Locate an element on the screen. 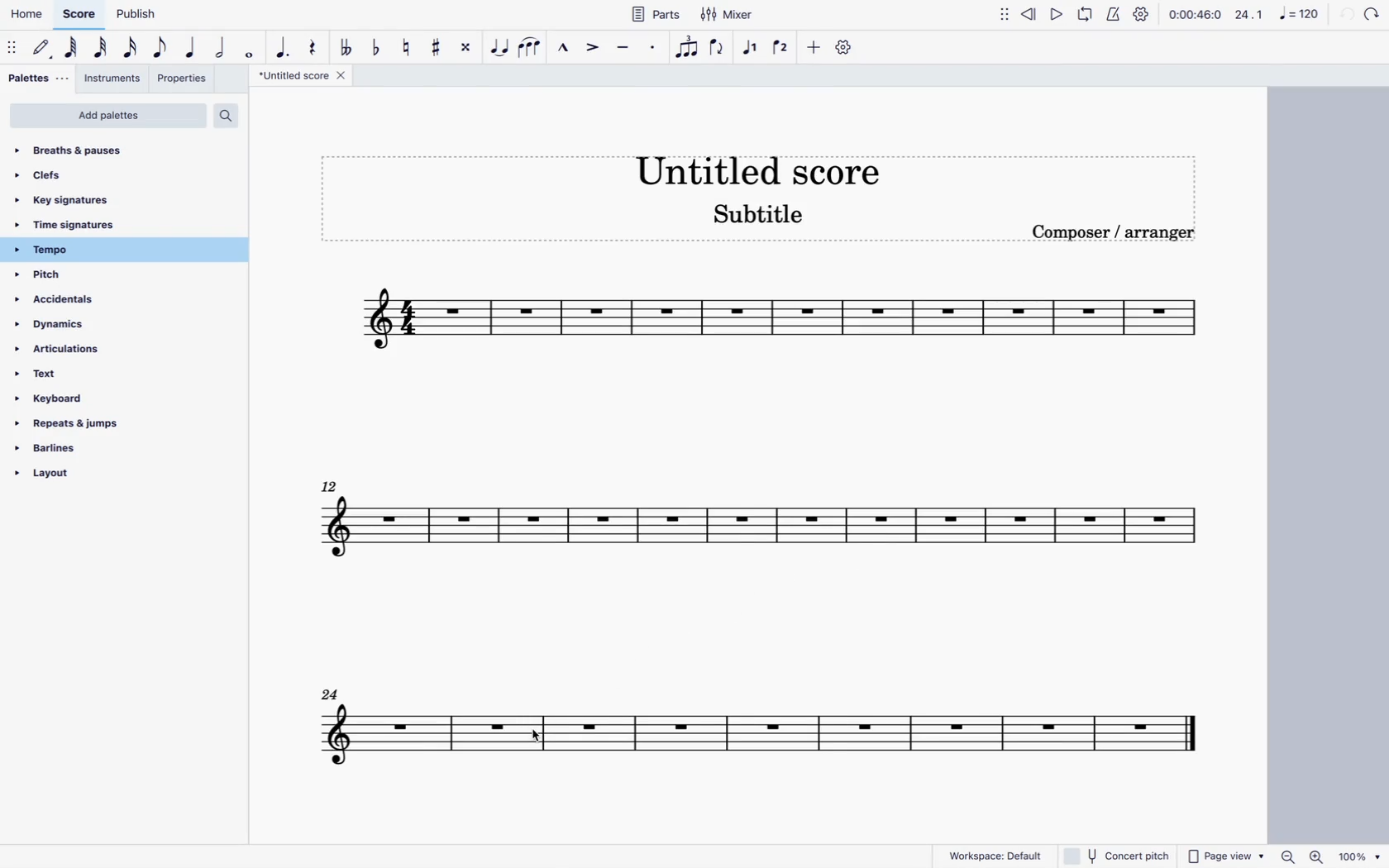  voice 2 is located at coordinates (780, 49).